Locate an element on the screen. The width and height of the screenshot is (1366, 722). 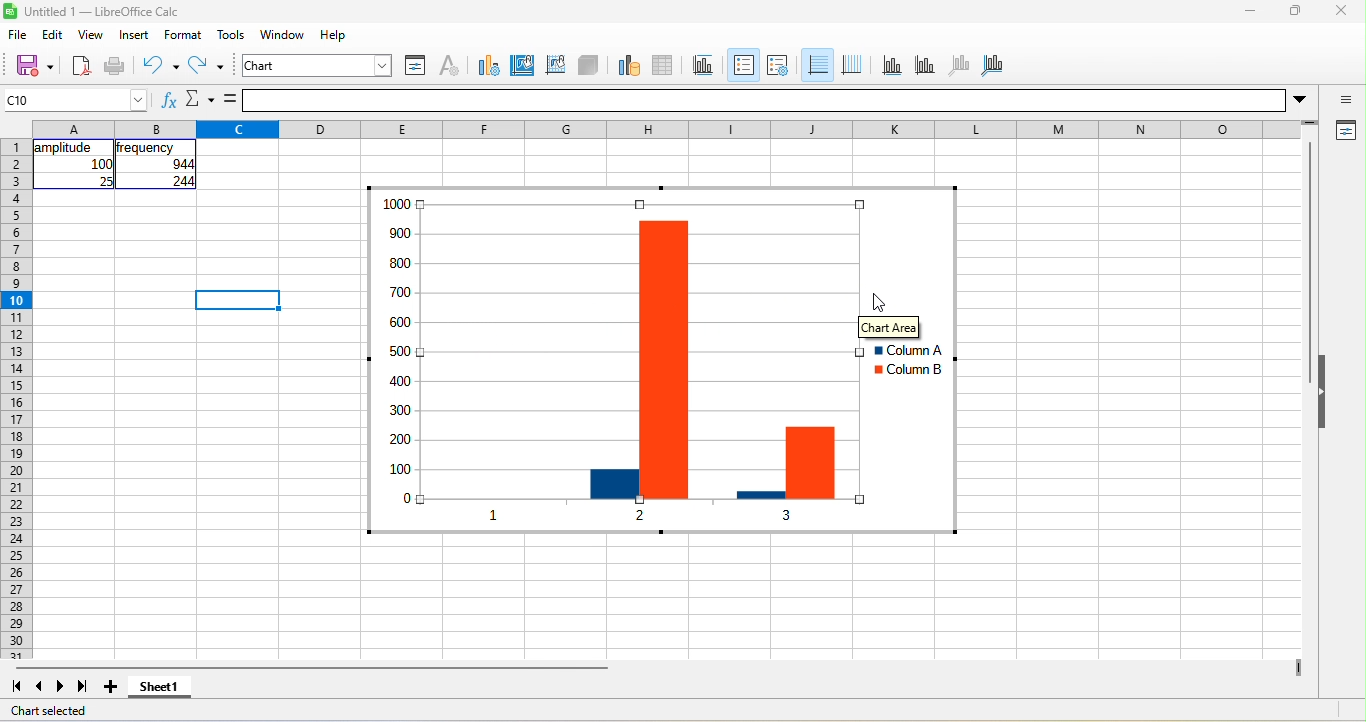
next sheet is located at coordinates (64, 686).